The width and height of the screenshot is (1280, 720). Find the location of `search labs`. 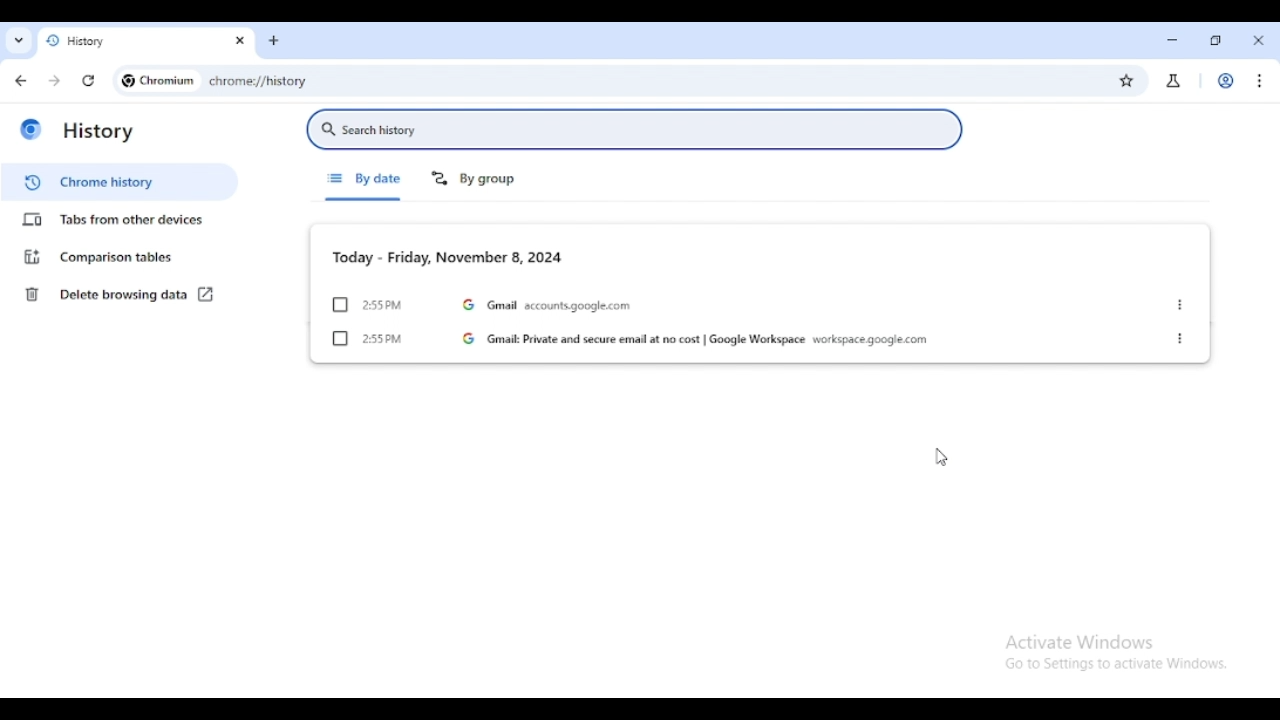

search labs is located at coordinates (1173, 81).